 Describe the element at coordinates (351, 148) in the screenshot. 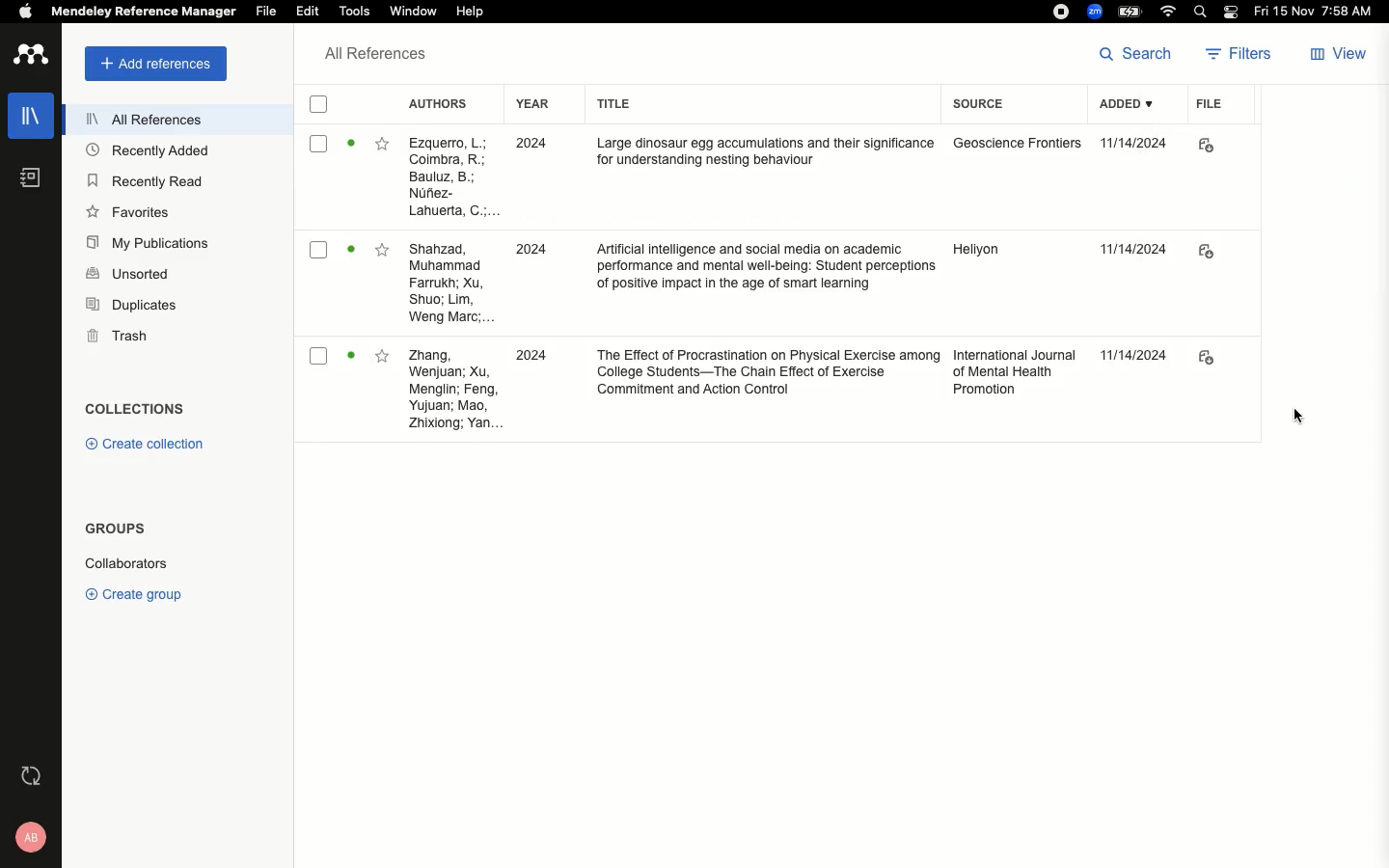

I see `Active` at that location.